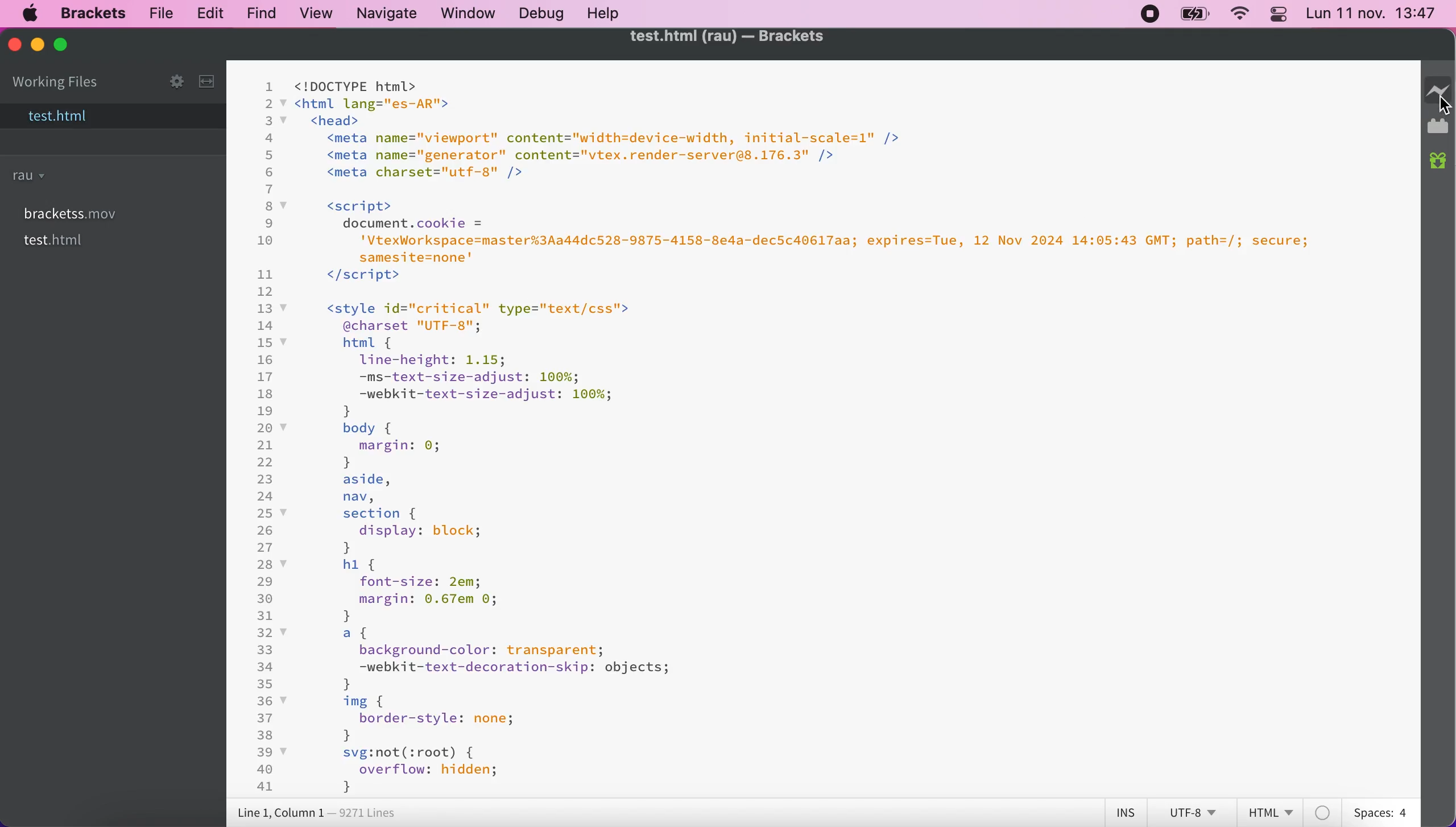 The height and width of the screenshot is (827, 1456). What do you see at coordinates (317, 15) in the screenshot?
I see `view` at bounding box center [317, 15].